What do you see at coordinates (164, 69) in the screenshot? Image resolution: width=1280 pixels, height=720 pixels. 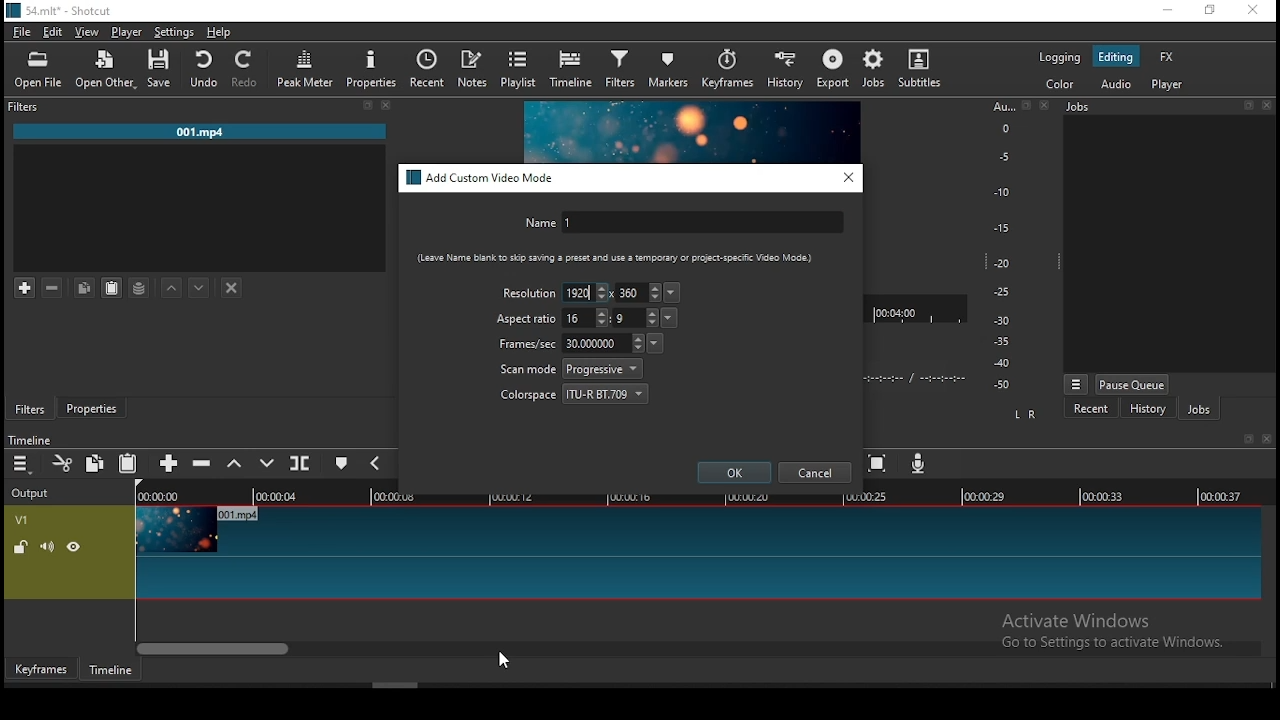 I see `save` at bounding box center [164, 69].